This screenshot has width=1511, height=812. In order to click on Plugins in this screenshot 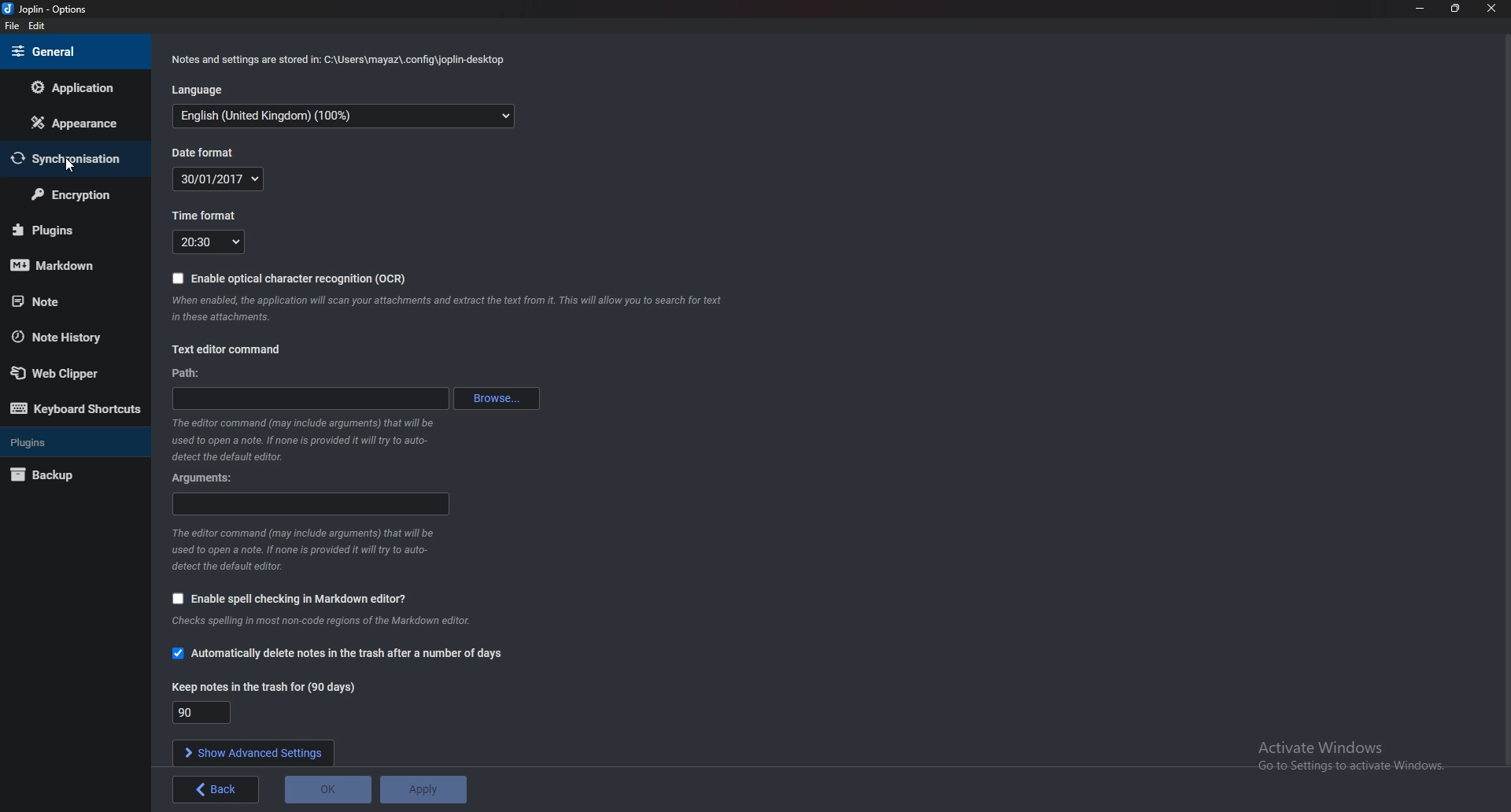, I will do `click(68, 231)`.